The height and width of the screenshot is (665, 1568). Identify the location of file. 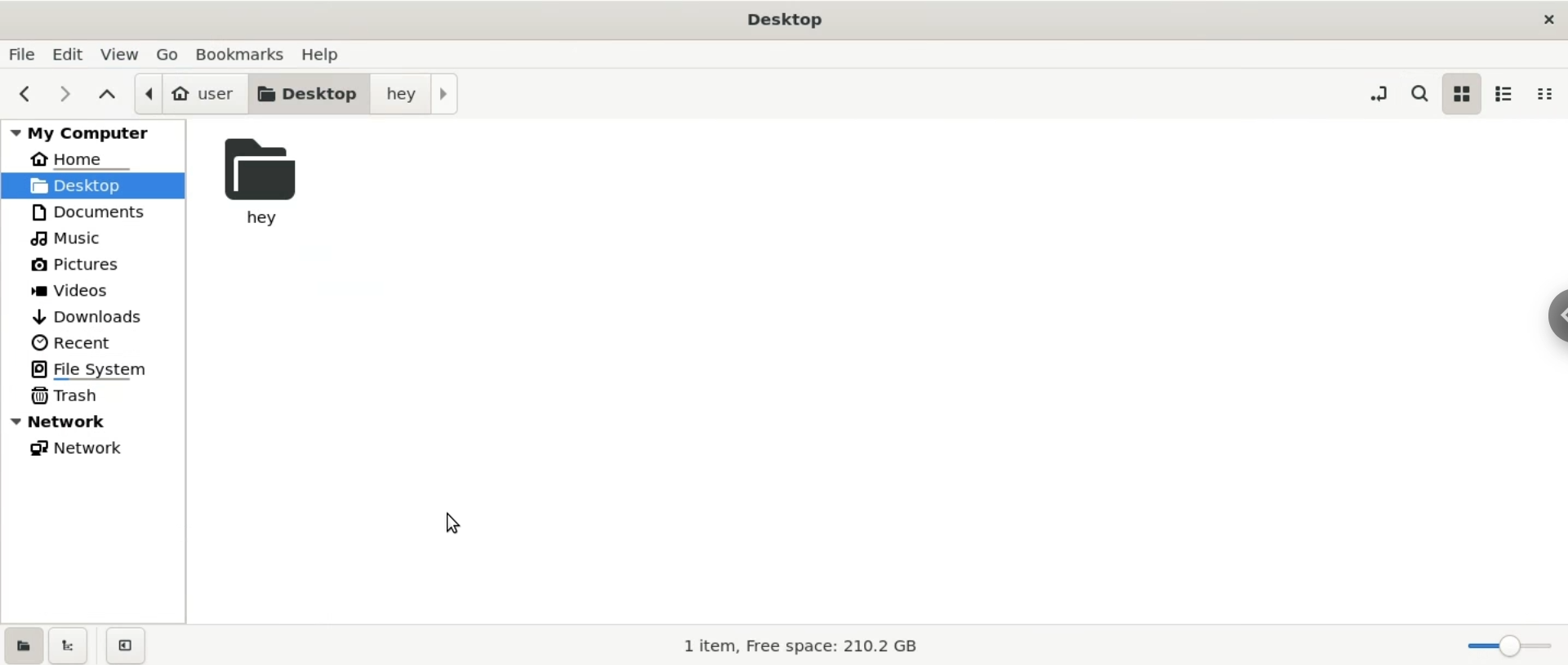
(25, 55).